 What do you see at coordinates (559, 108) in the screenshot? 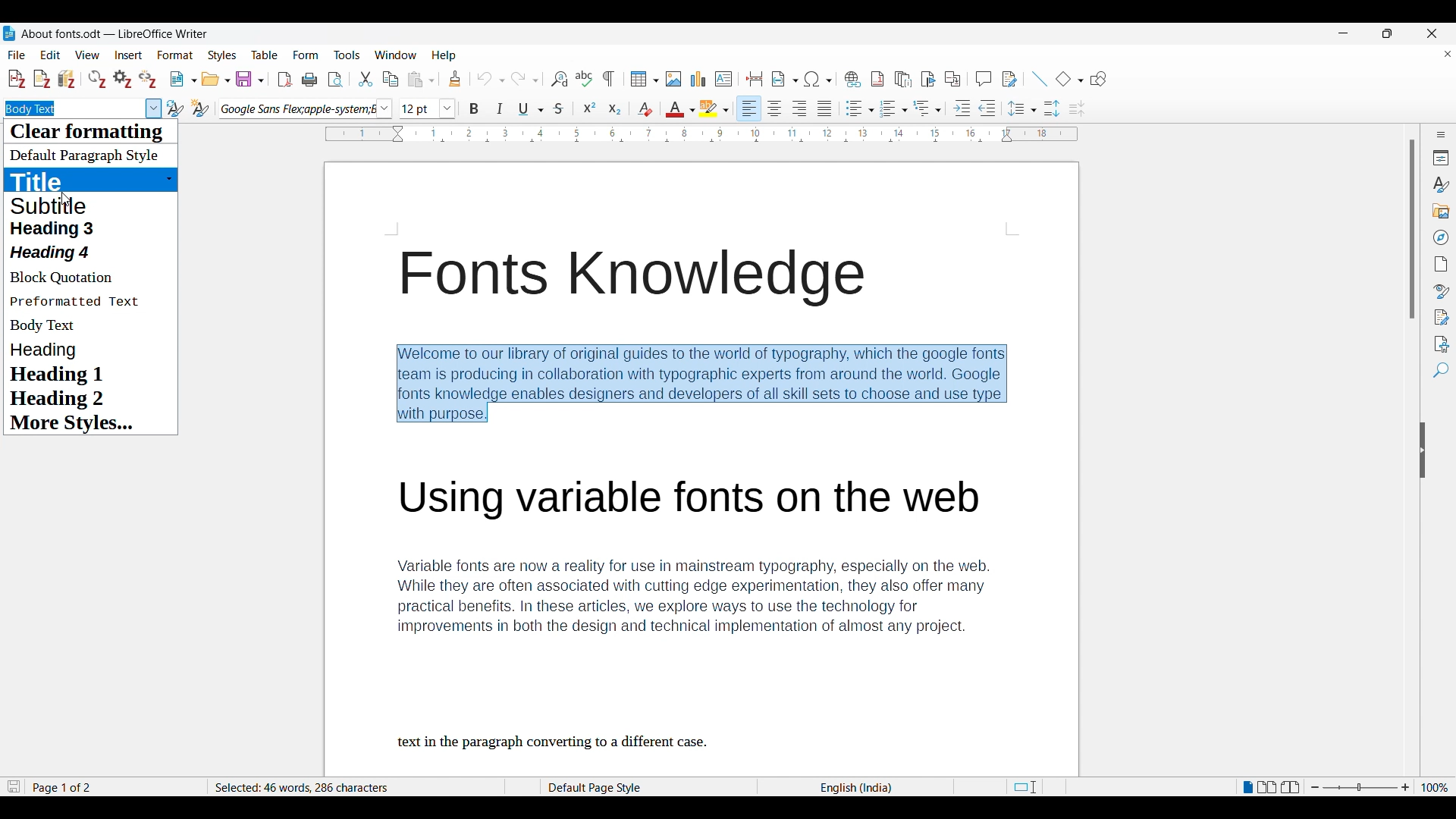
I see `Strike through ` at bounding box center [559, 108].